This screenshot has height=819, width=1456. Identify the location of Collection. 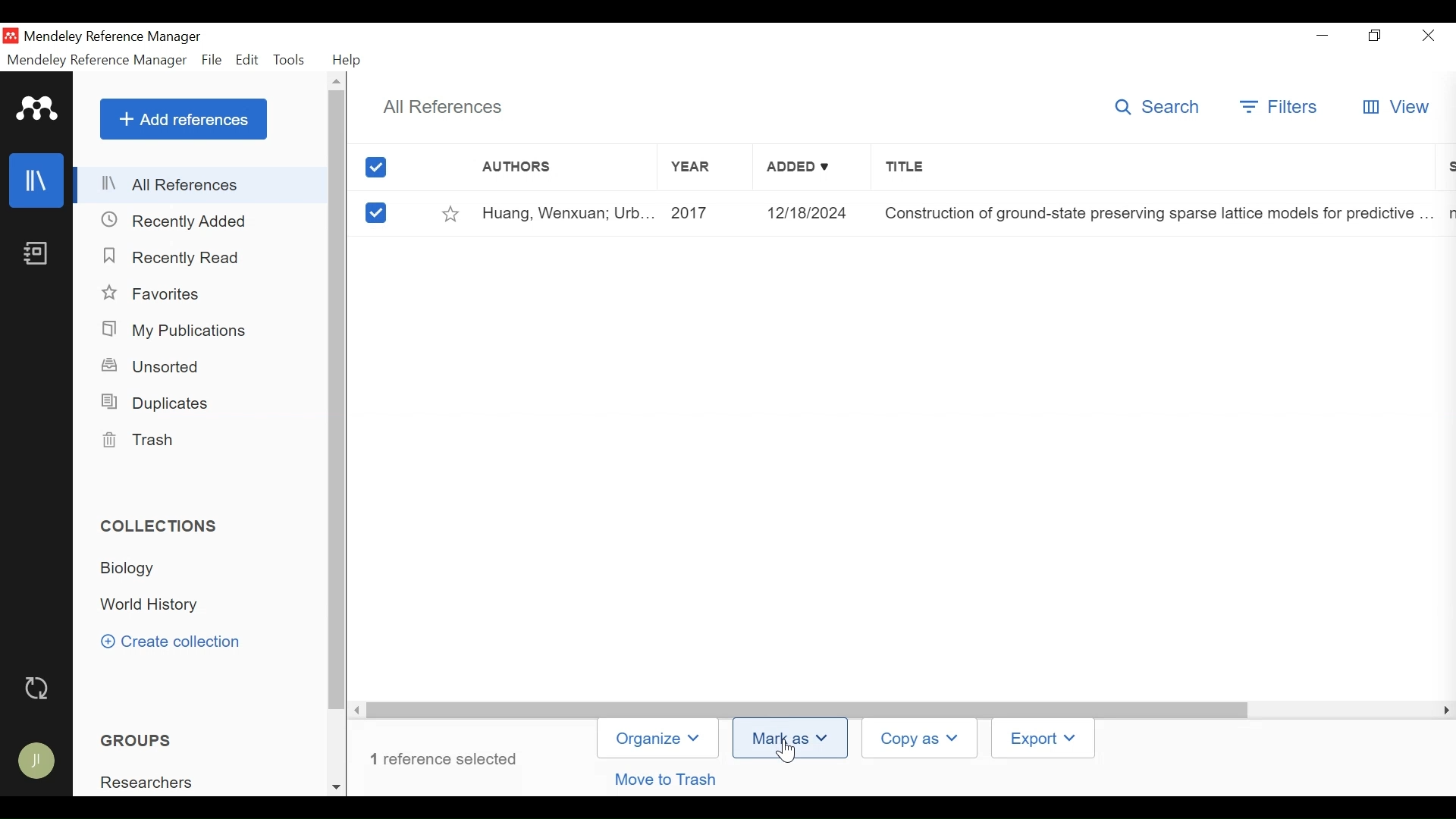
(149, 606).